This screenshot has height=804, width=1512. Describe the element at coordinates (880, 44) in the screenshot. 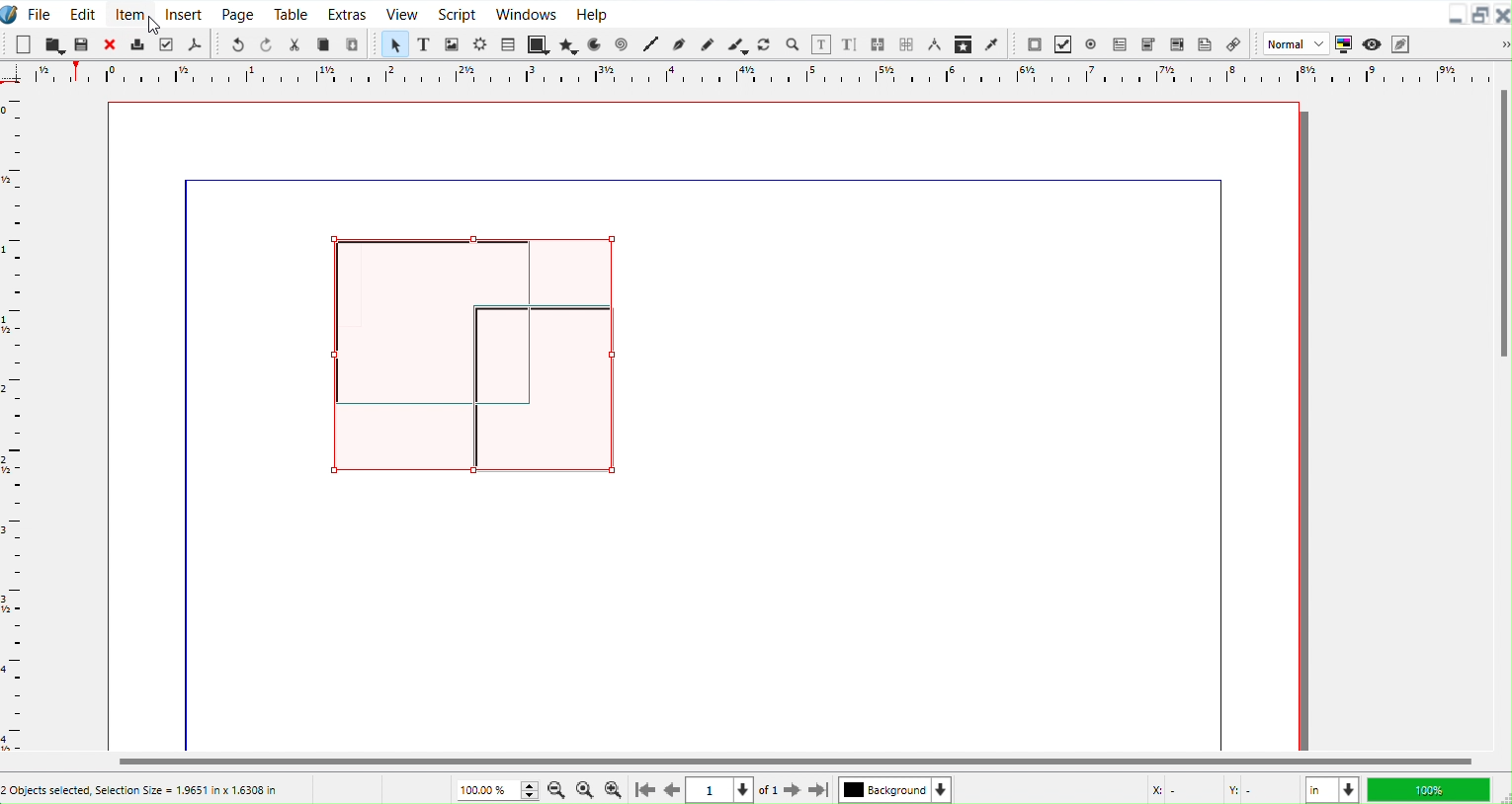

I see `Link text frame` at that location.